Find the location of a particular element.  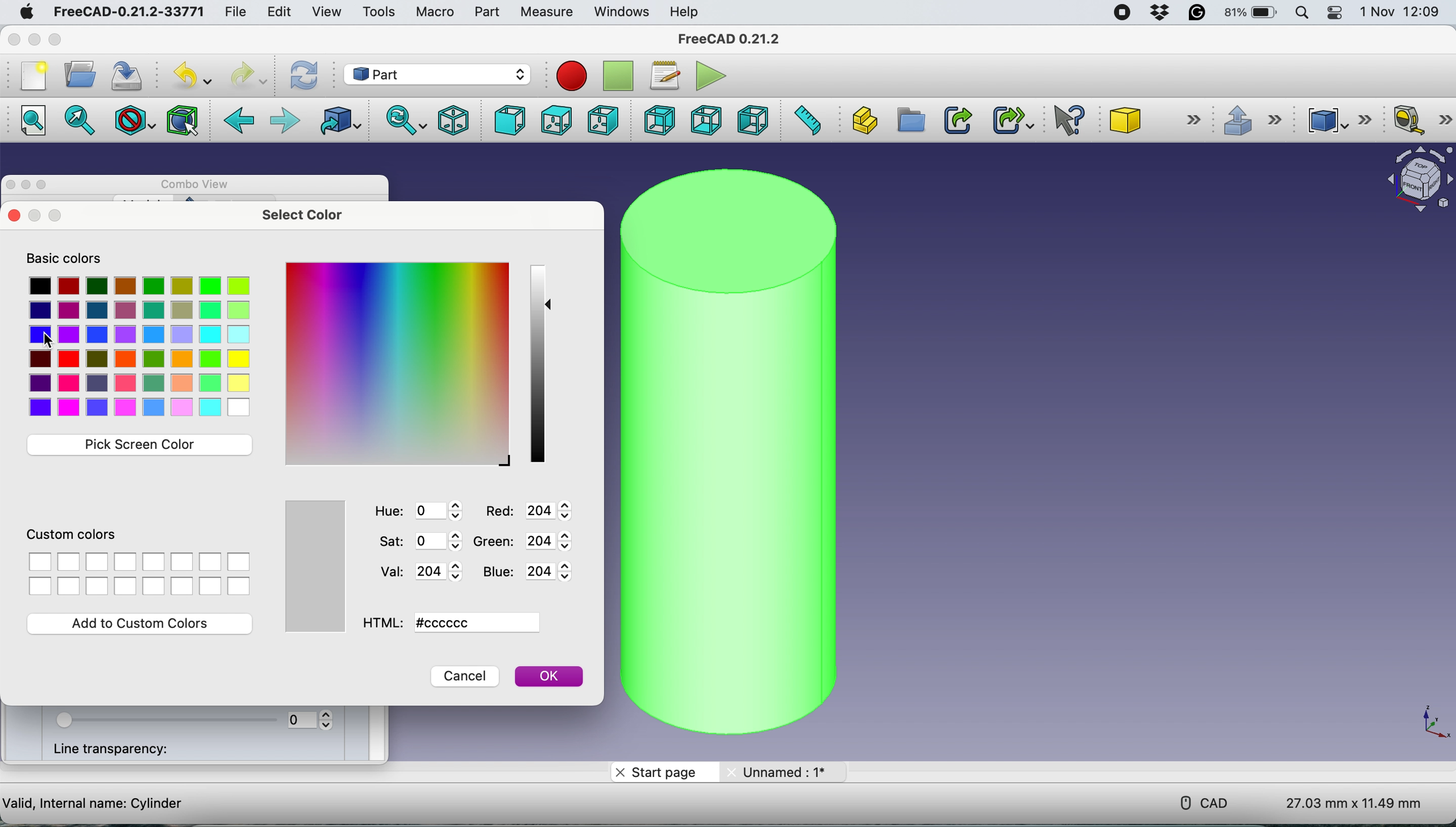

freecad is located at coordinates (729, 36).